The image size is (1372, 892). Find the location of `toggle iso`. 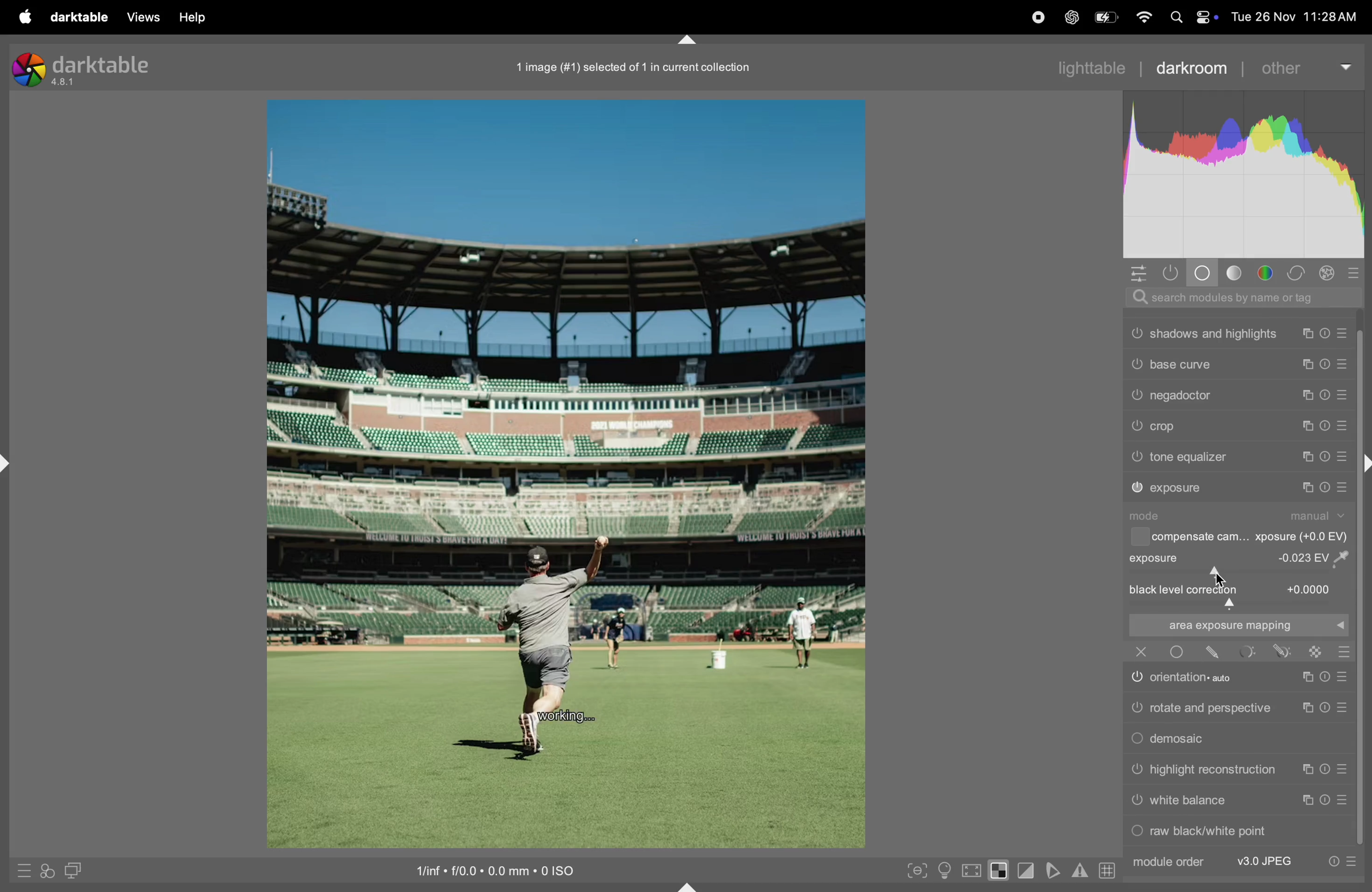

toggle iso is located at coordinates (944, 870).